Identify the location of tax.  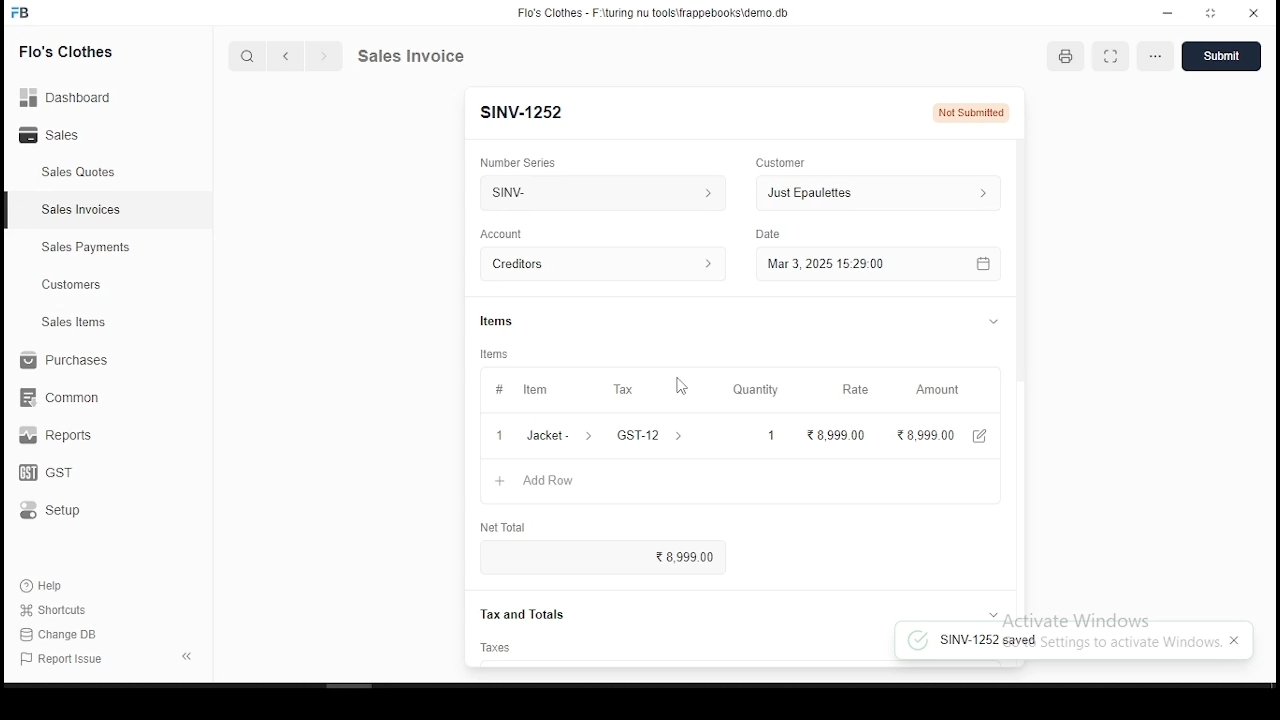
(625, 388).